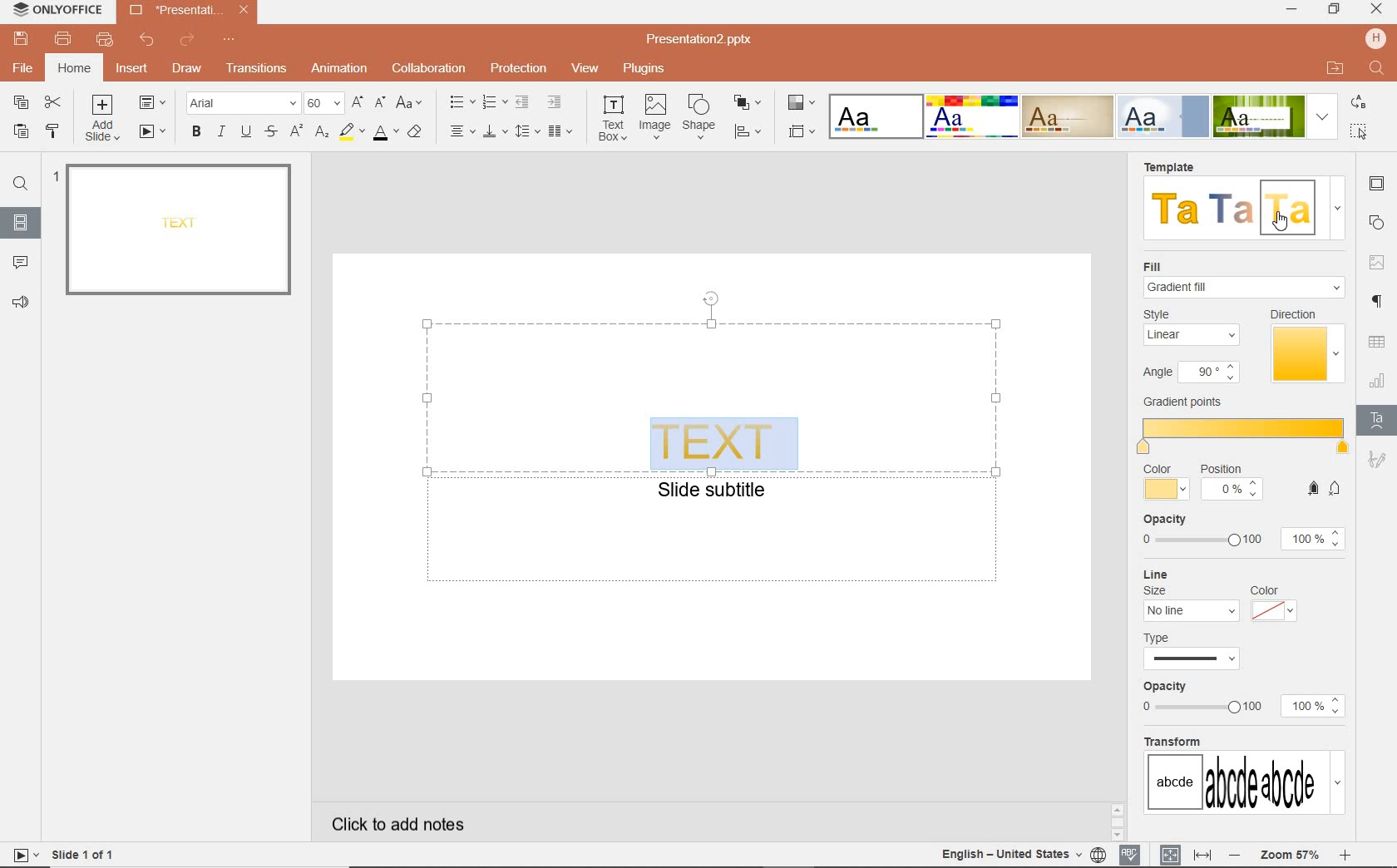 The width and height of the screenshot is (1397, 868). Describe the element at coordinates (1131, 852) in the screenshot. I see `SPELL CHECKING` at that location.